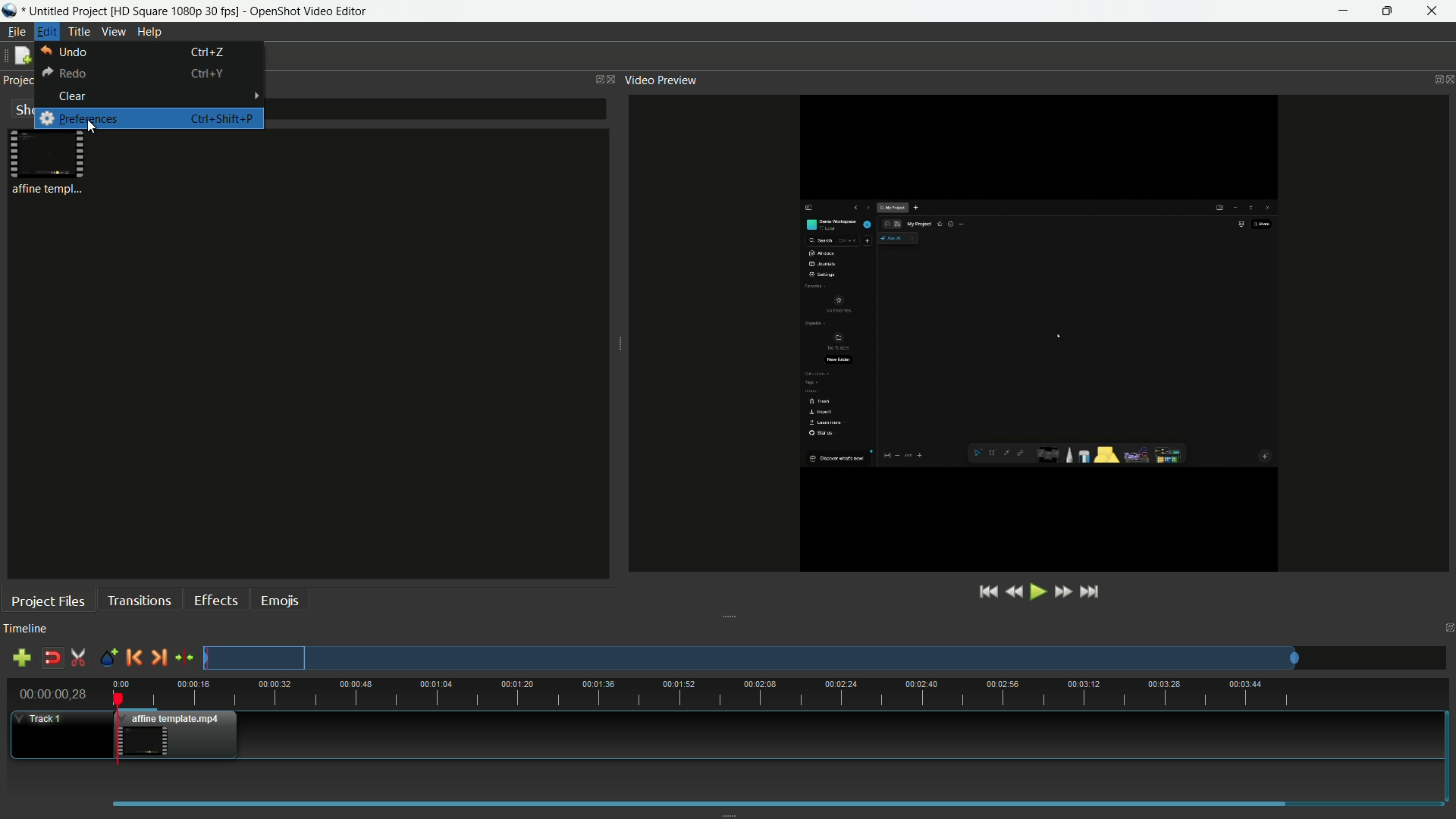 This screenshot has width=1456, height=819. What do you see at coordinates (281, 599) in the screenshot?
I see `emojis` at bounding box center [281, 599].